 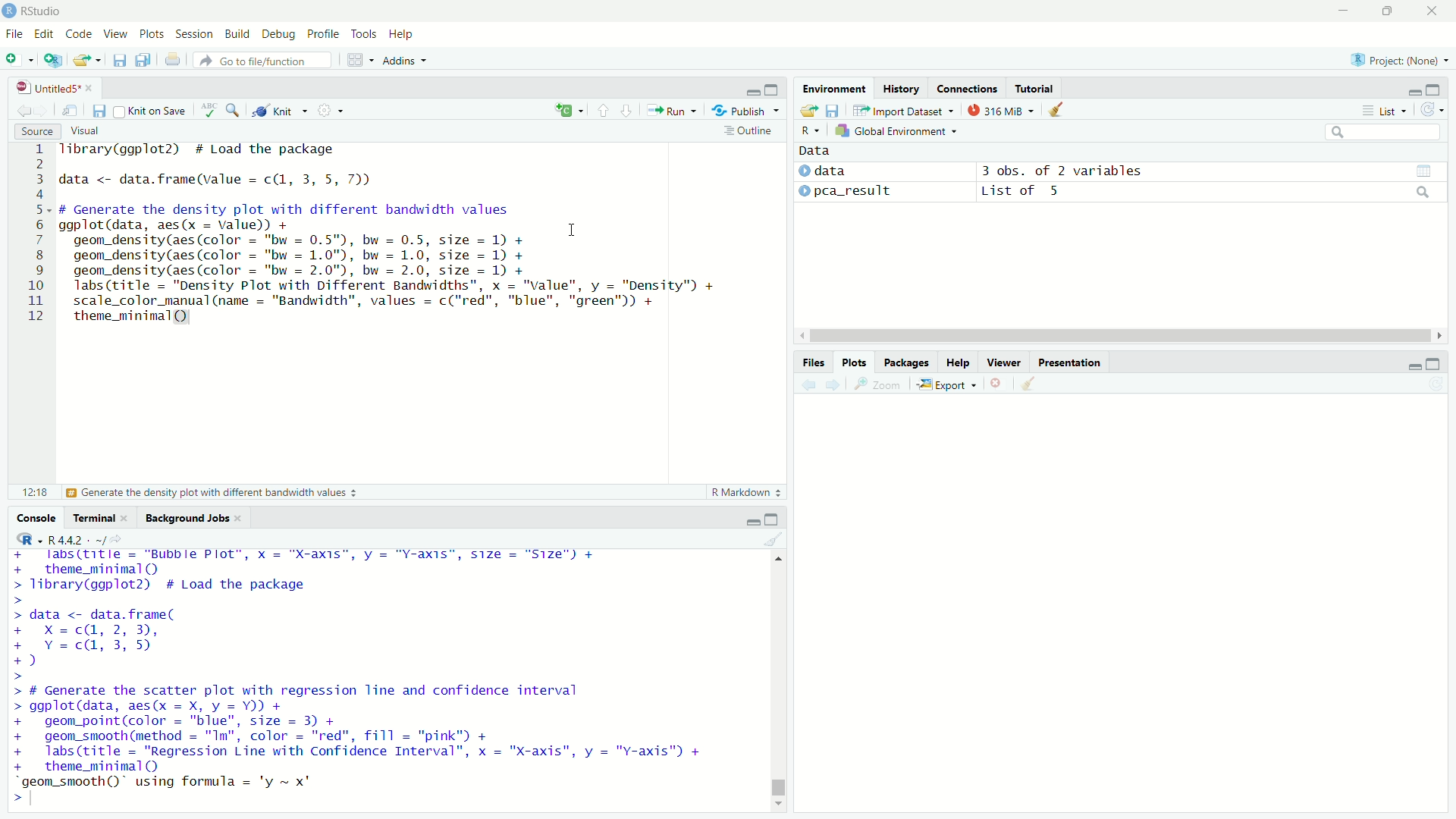 I want to click on Code, so click(x=77, y=33).